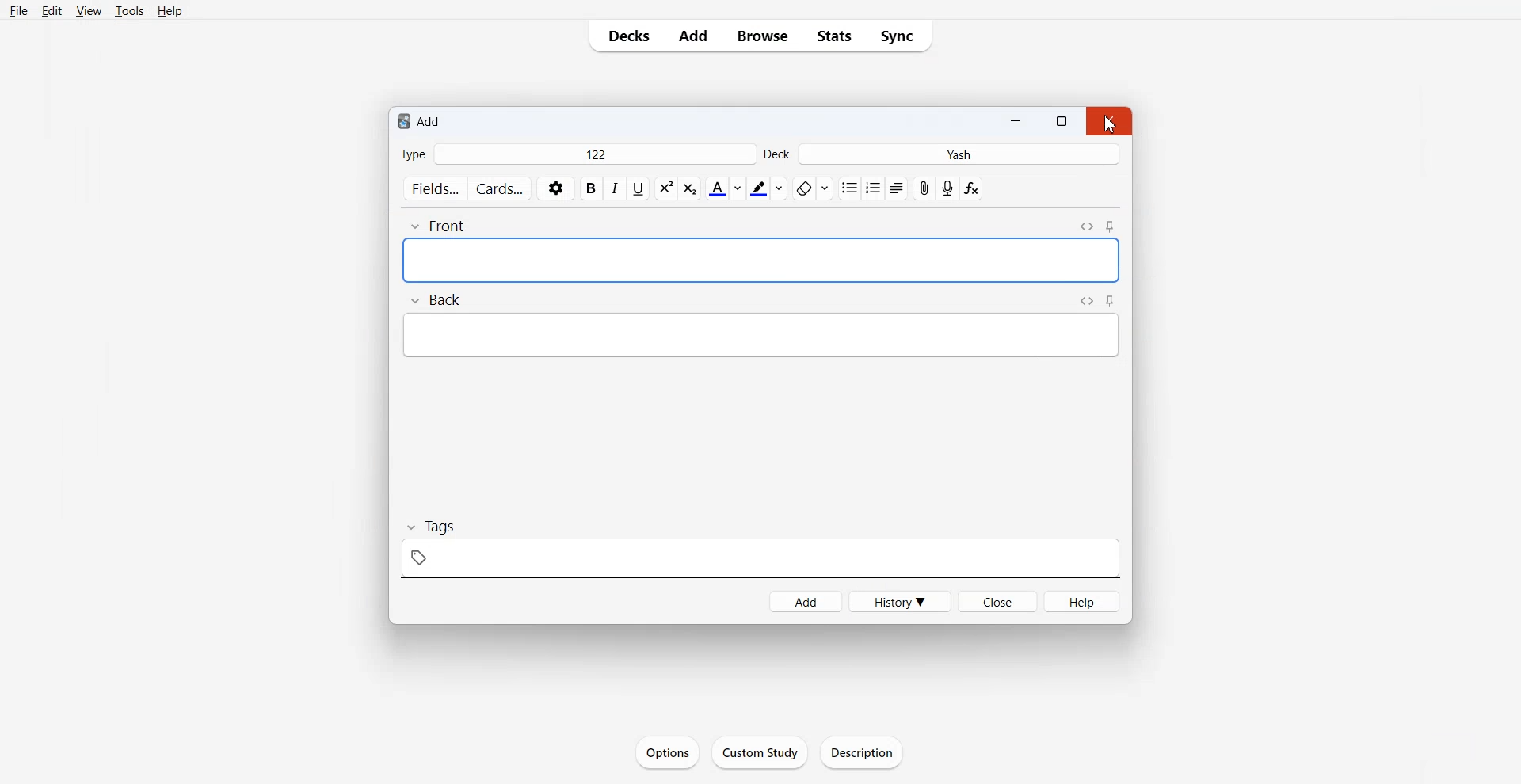 The image size is (1521, 784). I want to click on Italic, so click(616, 188).